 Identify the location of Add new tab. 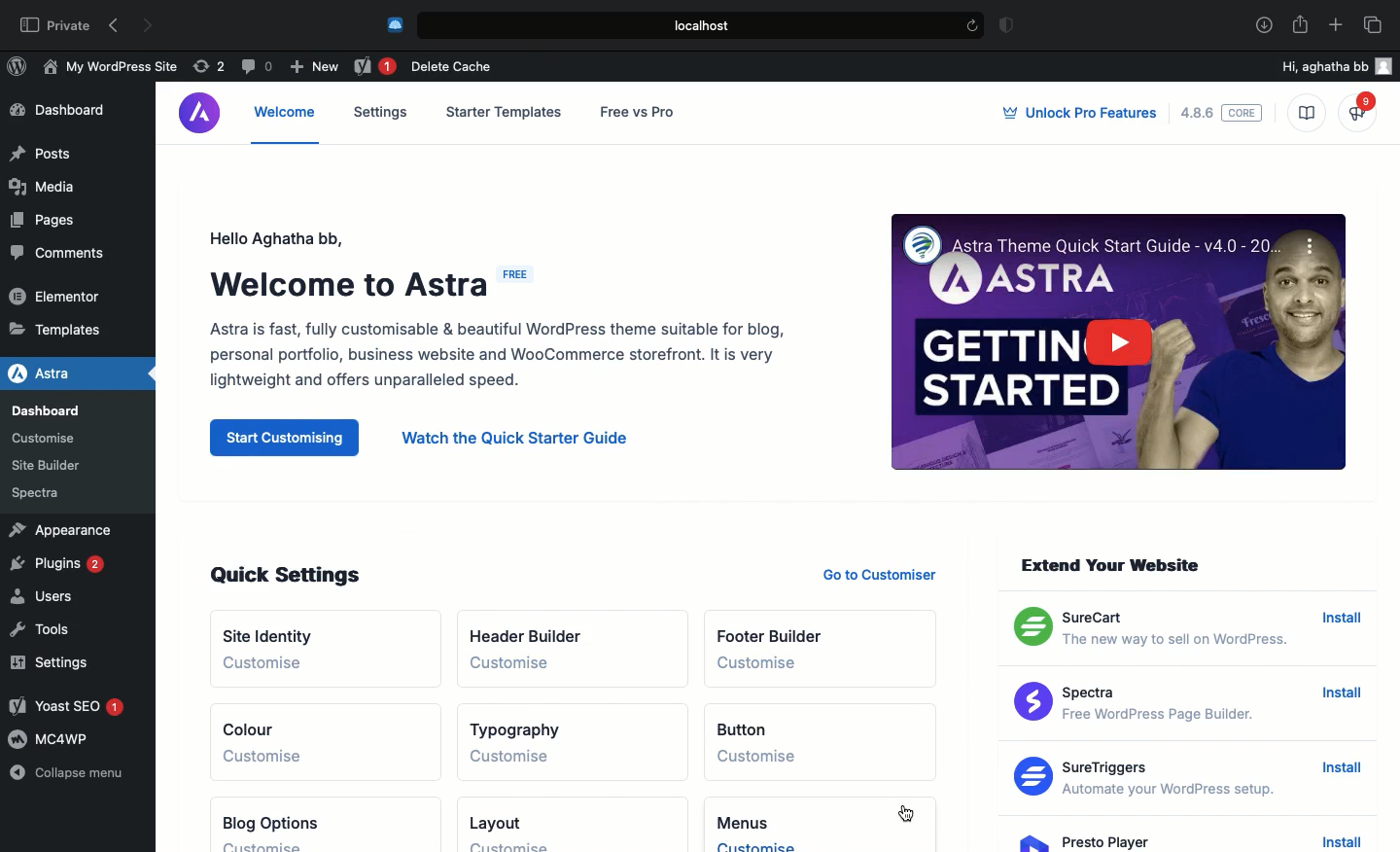
(1336, 28).